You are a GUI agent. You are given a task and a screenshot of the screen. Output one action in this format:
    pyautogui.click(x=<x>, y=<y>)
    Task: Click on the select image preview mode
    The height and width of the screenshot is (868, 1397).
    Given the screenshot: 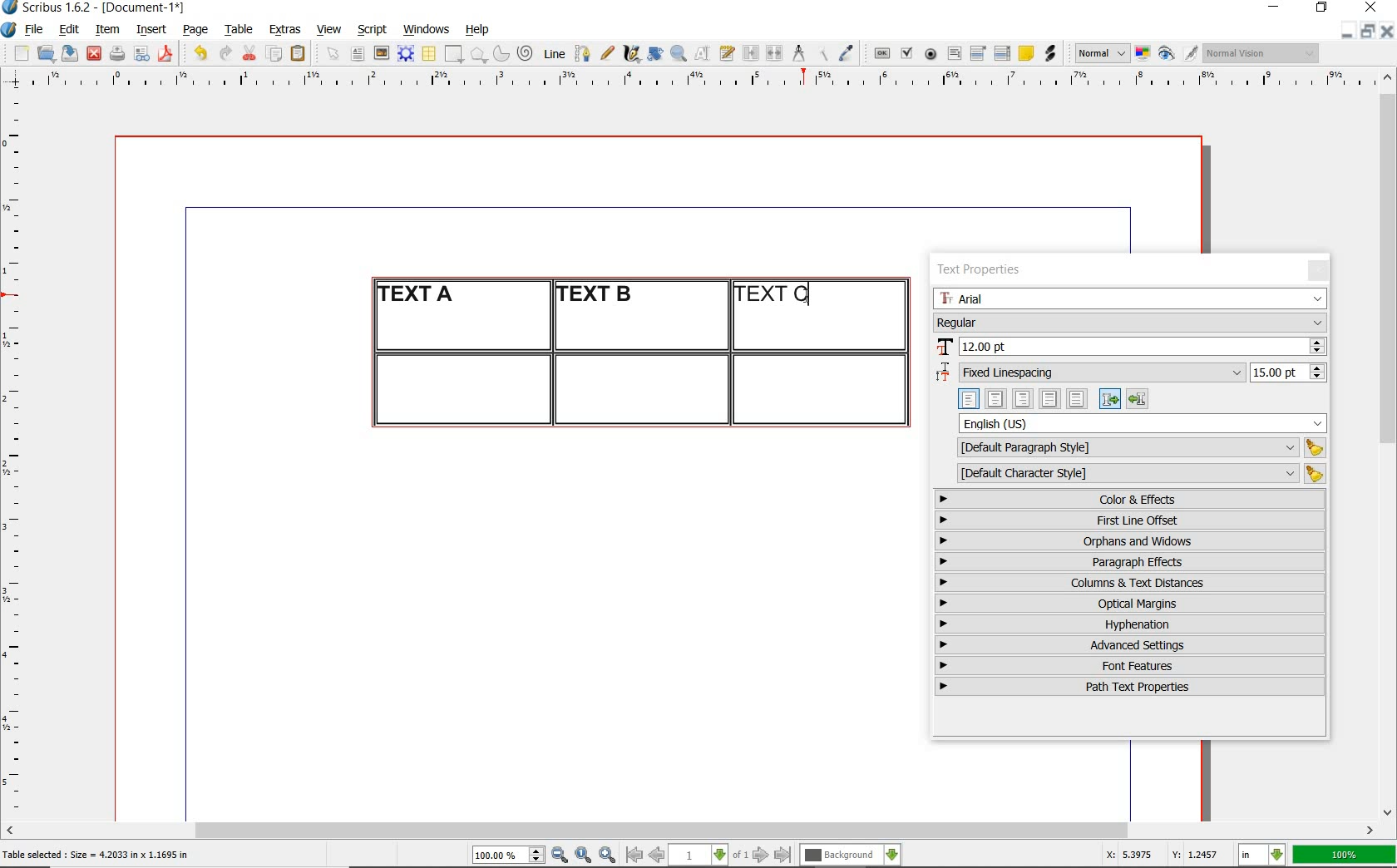 What is the action you would take?
    pyautogui.click(x=1101, y=54)
    